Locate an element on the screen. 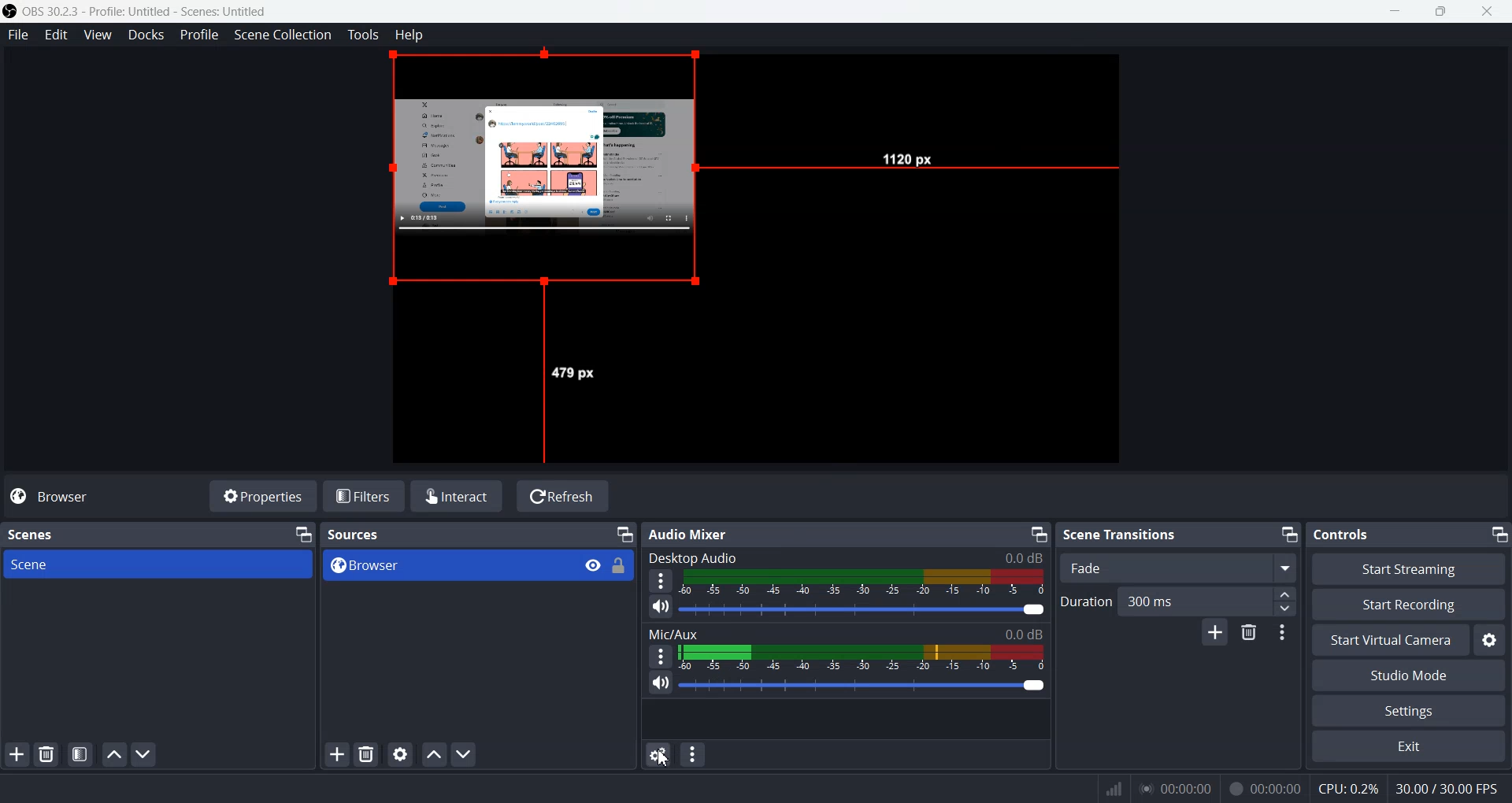 The width and height of the screenshot is (1512, 803). ‘OBS 30.2.3 - Profile: Untitled - Scenes: Untitled is located at coordinates (148, 11).